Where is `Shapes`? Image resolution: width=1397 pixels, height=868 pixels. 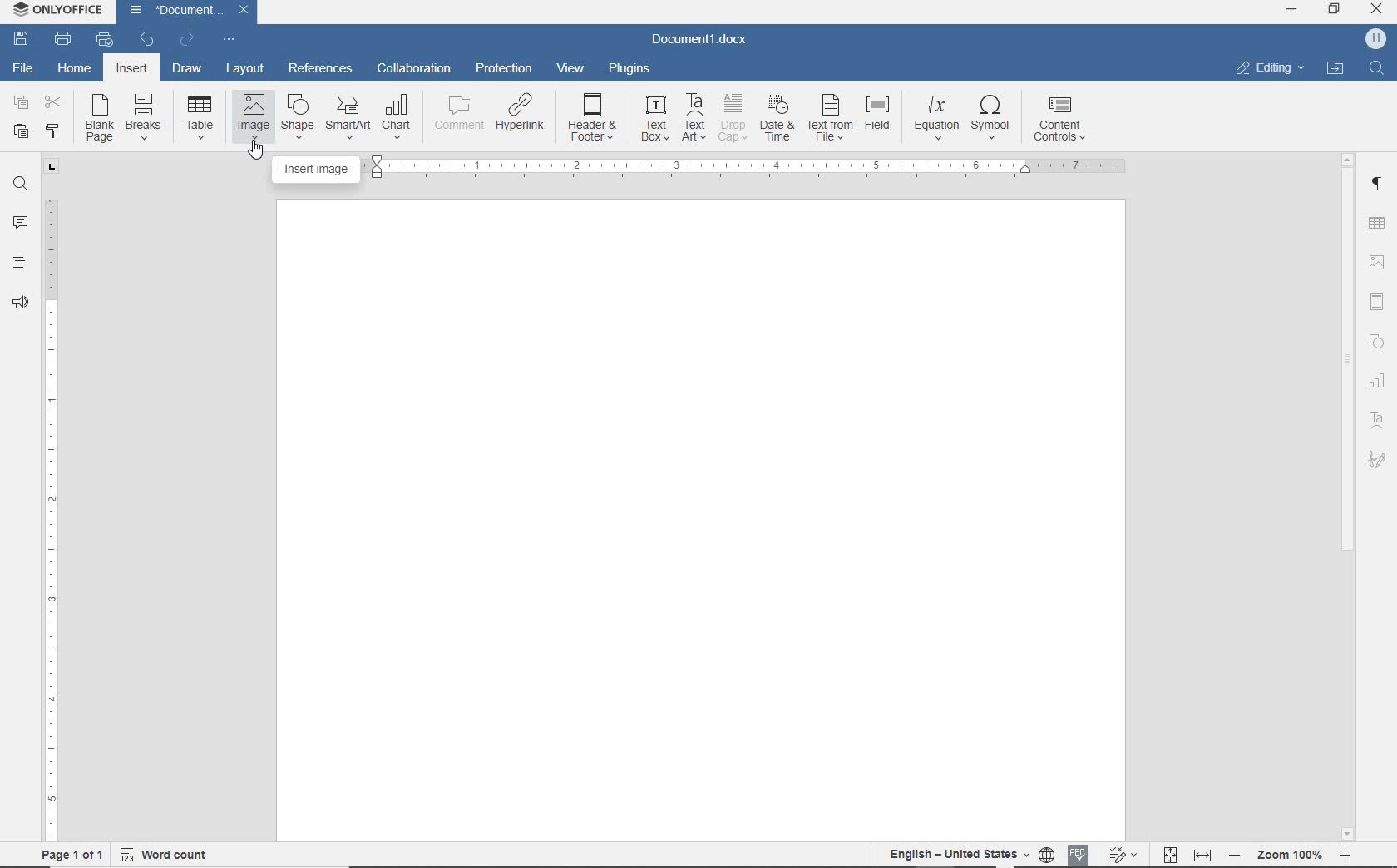 Shapes is located at coordinates (1380, 337).